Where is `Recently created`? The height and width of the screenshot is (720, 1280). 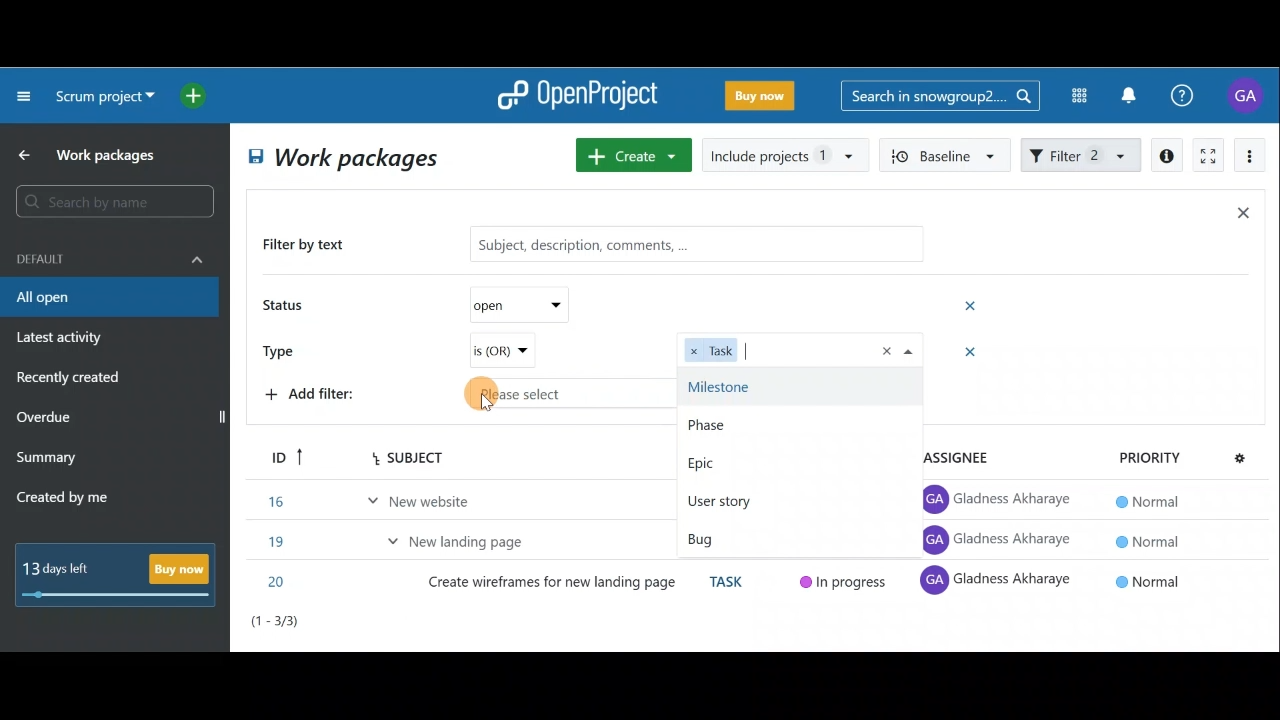 Recently created is located at coordinates (71, 380).